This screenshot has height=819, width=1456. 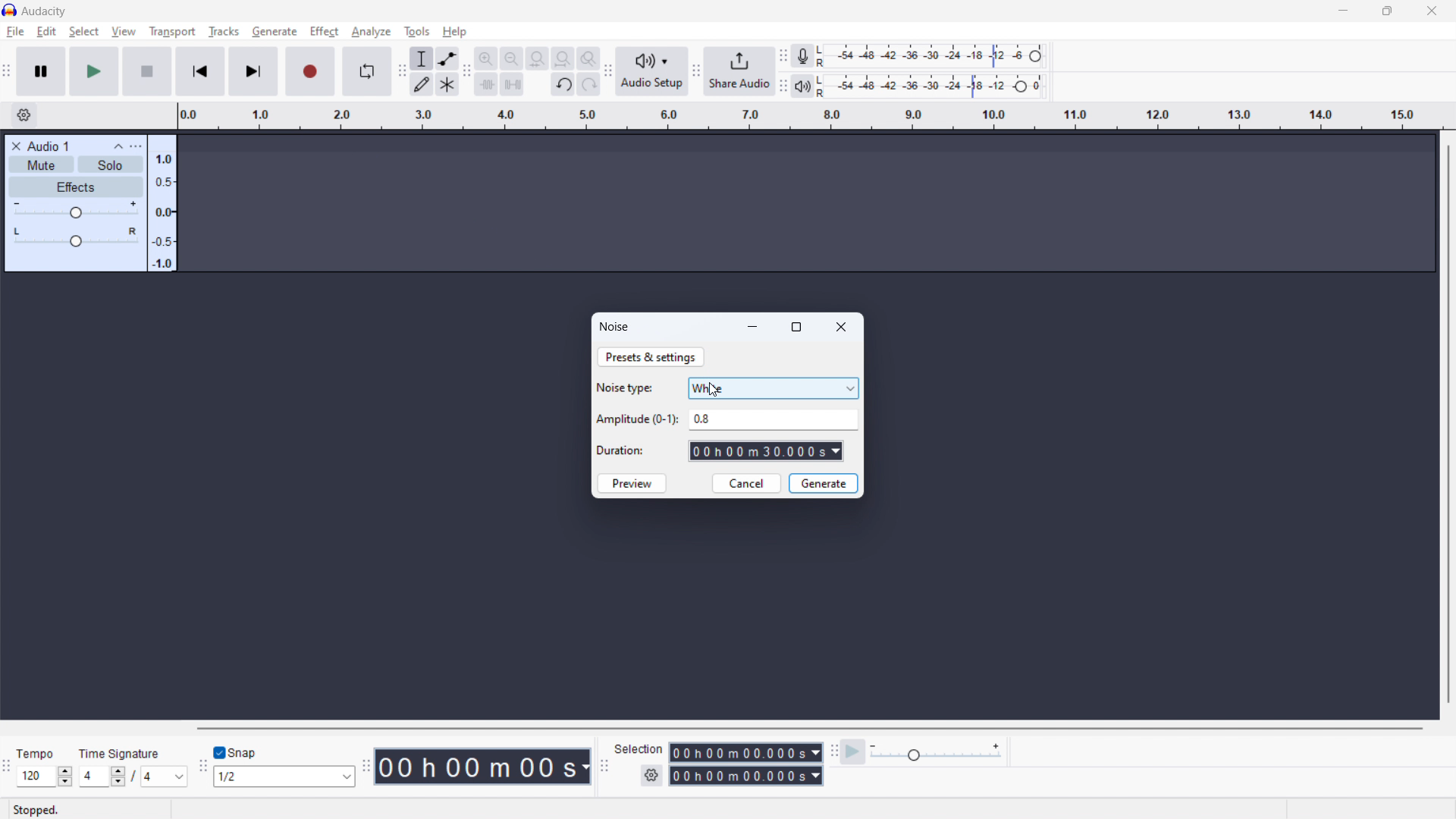 I want to click on select, so click(x=84, y=32).